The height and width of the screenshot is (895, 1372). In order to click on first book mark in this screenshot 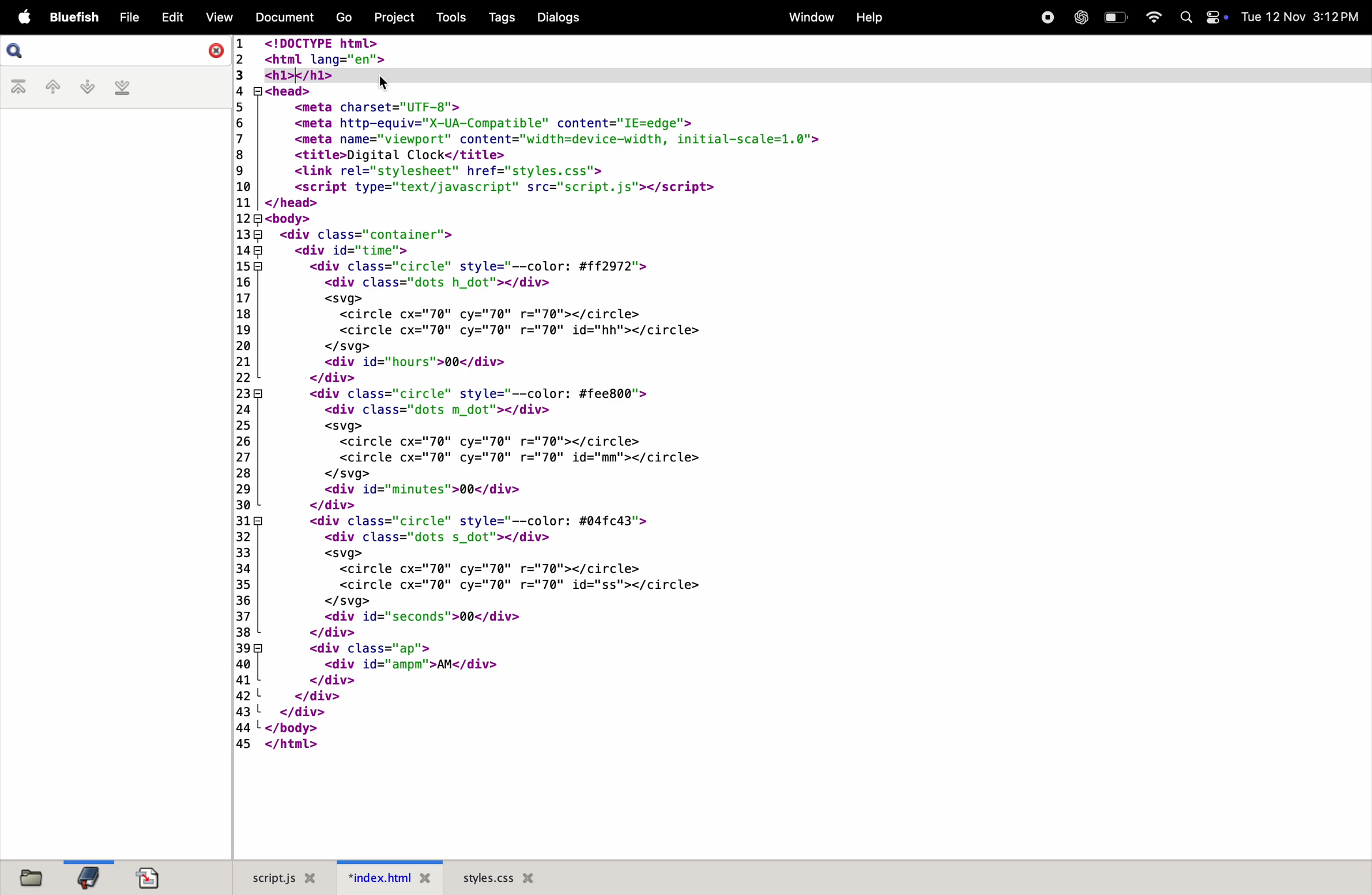, I will do `click(21, 88)`.